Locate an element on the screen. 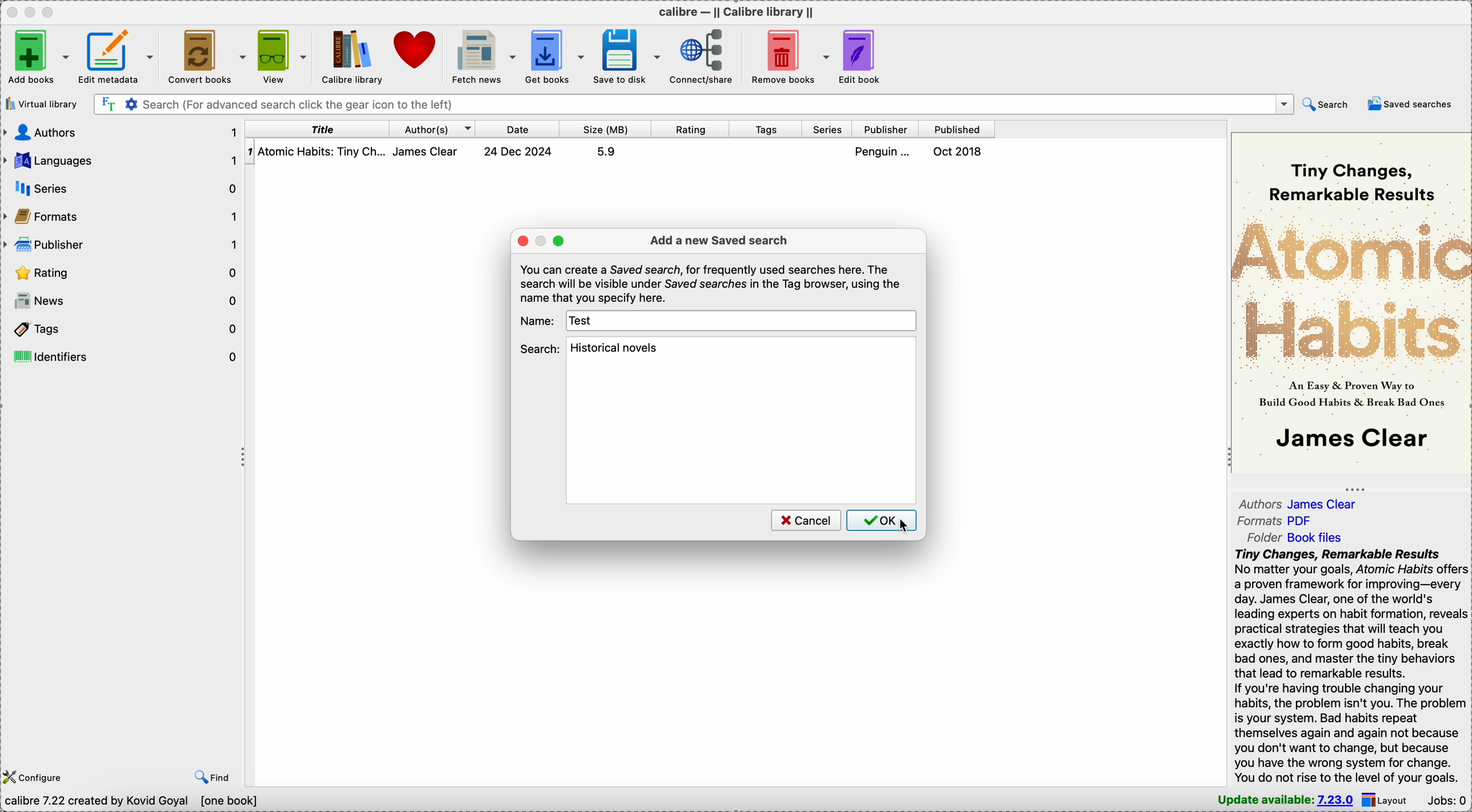 The image size is (1472, 812). update available: 7.23.0 is located at coordinates (1281, 799).